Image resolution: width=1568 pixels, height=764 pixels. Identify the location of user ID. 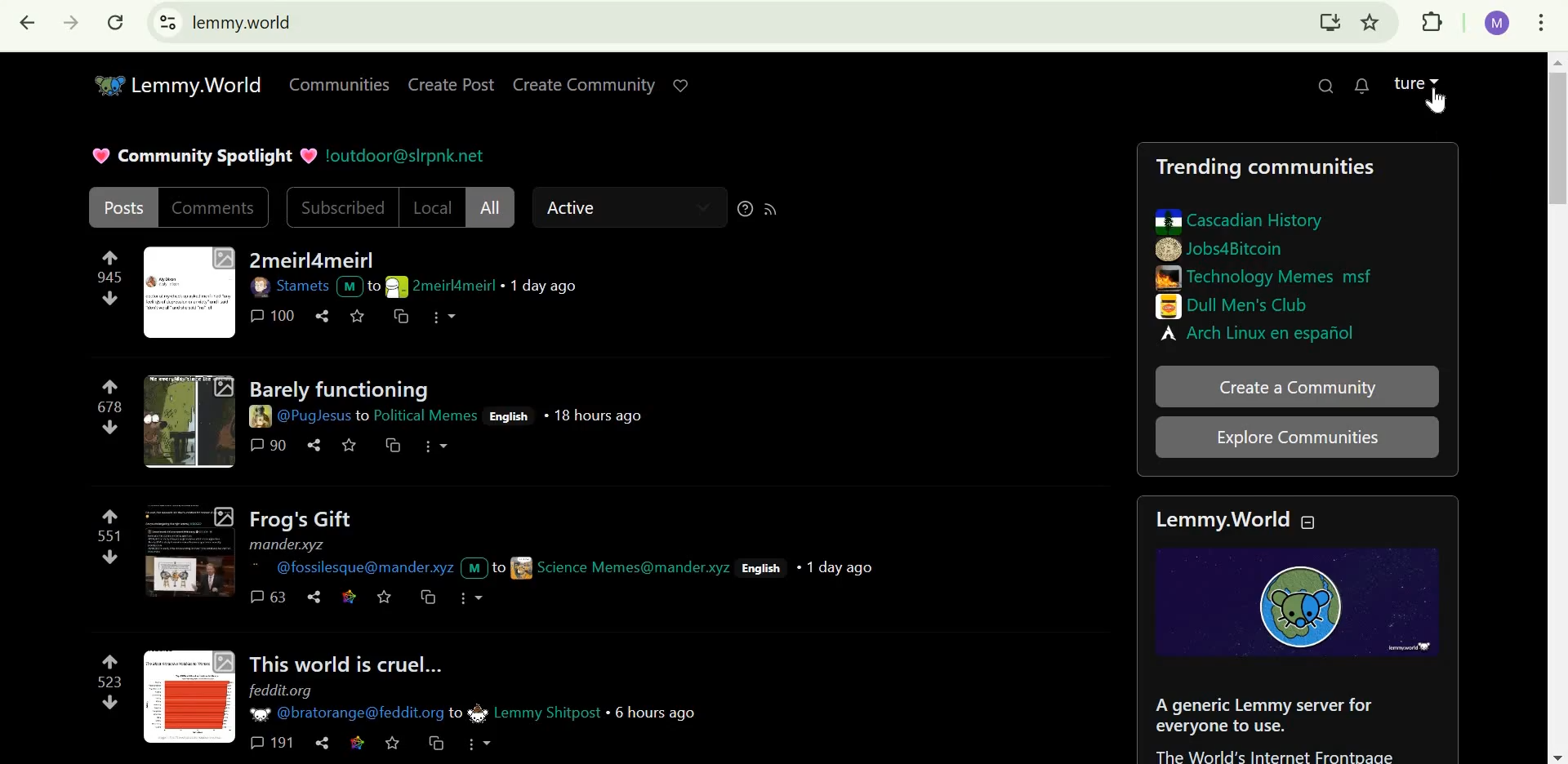
(310, 416).